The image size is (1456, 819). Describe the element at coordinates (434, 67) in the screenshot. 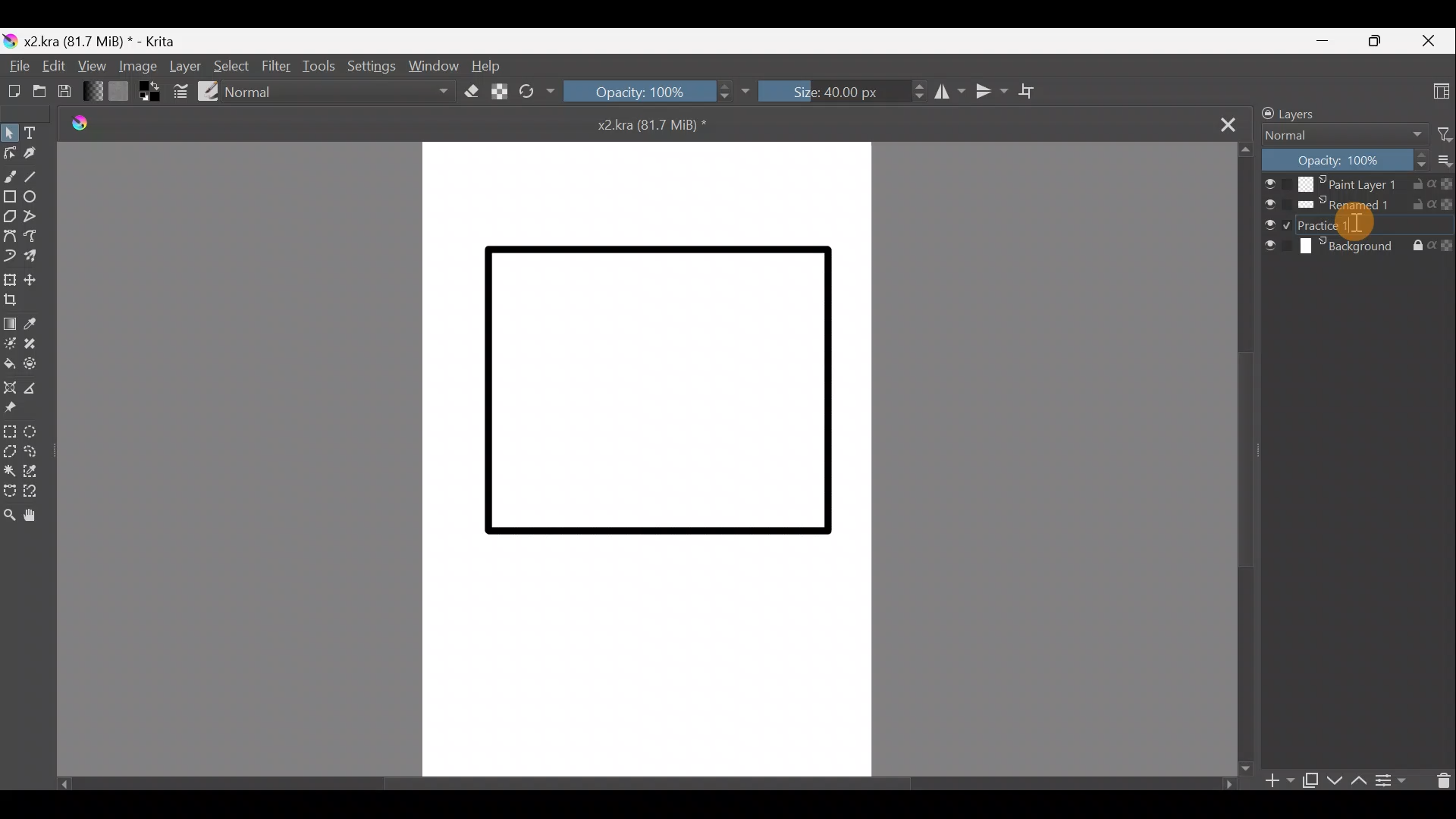

I see `Window` at that location.